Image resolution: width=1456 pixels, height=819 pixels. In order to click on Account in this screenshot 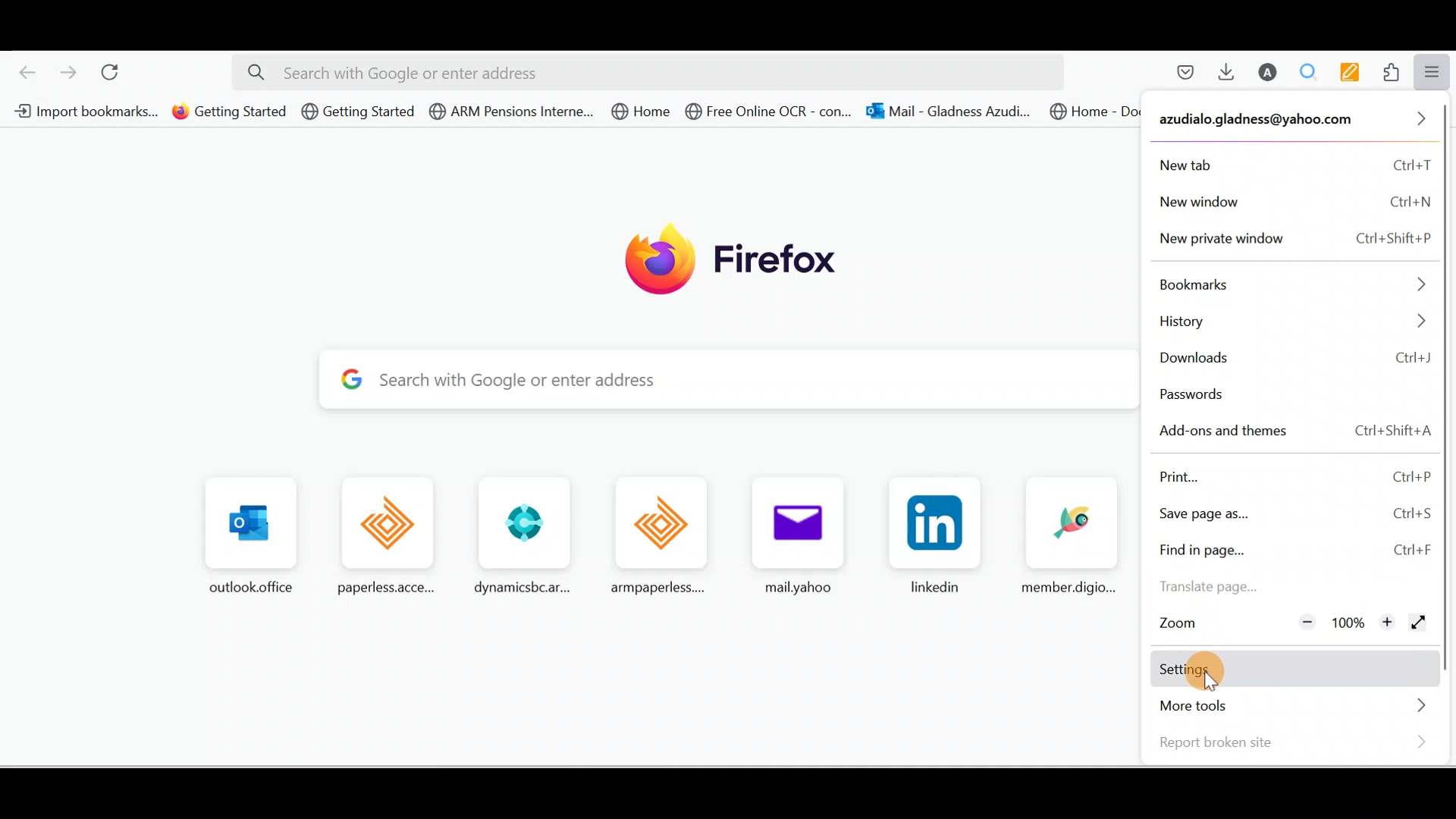, I will do `click(1269, 74)`.